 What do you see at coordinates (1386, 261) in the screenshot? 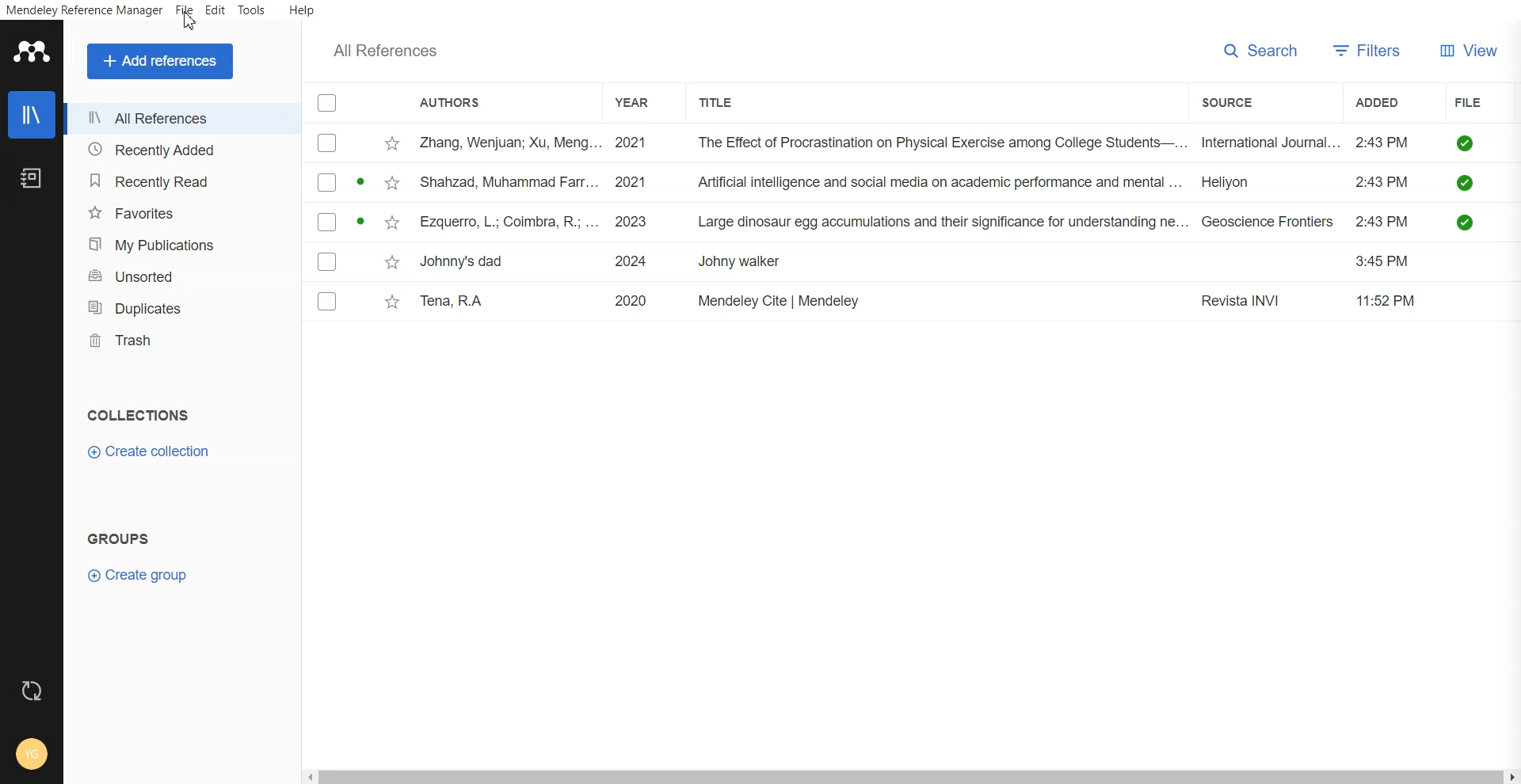
I see `3:45 PM` at bounding box center [1386, 261].